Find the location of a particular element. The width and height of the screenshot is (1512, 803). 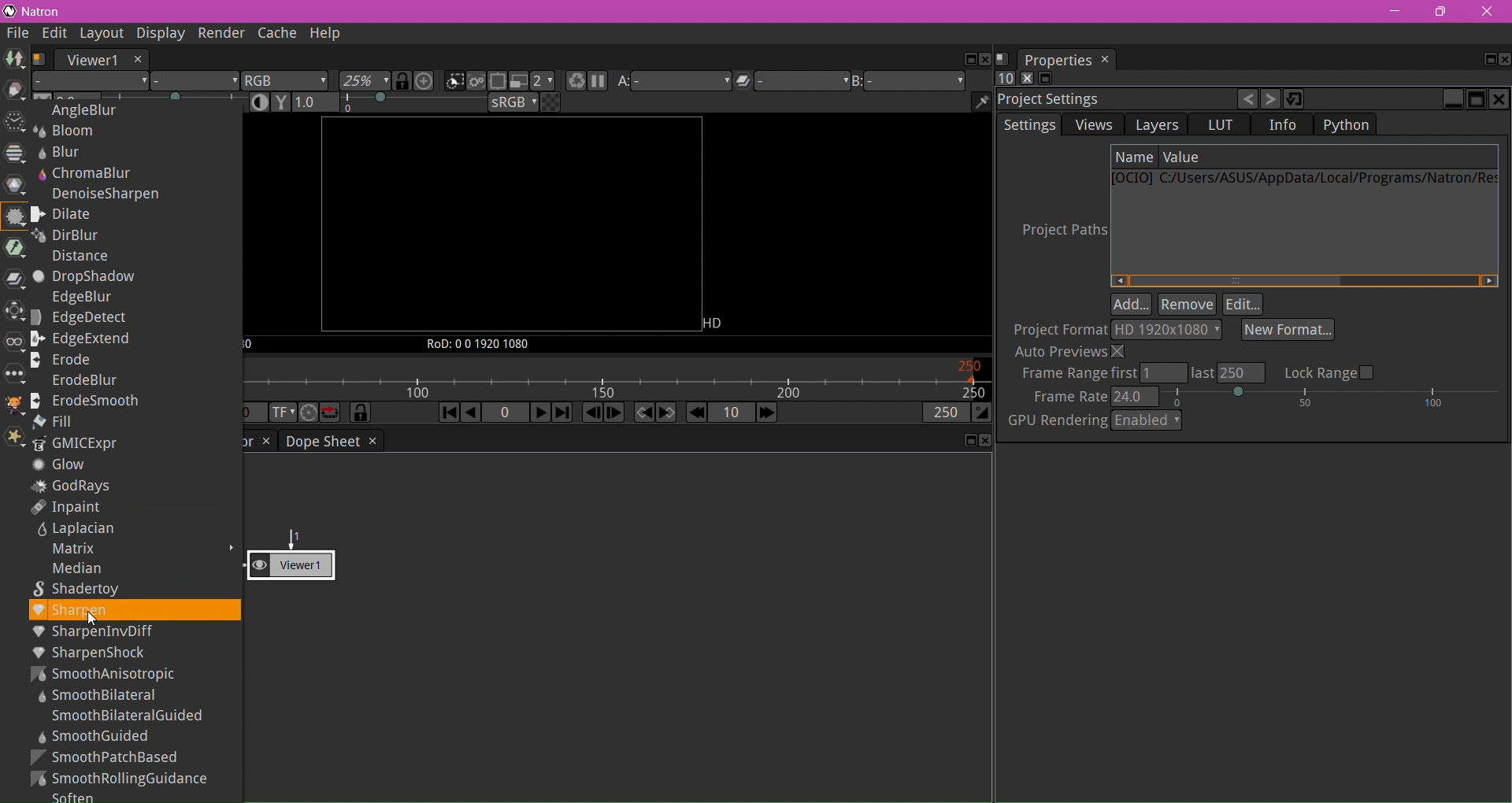

Viewer gamma correction is located at coordinates (281, 102).